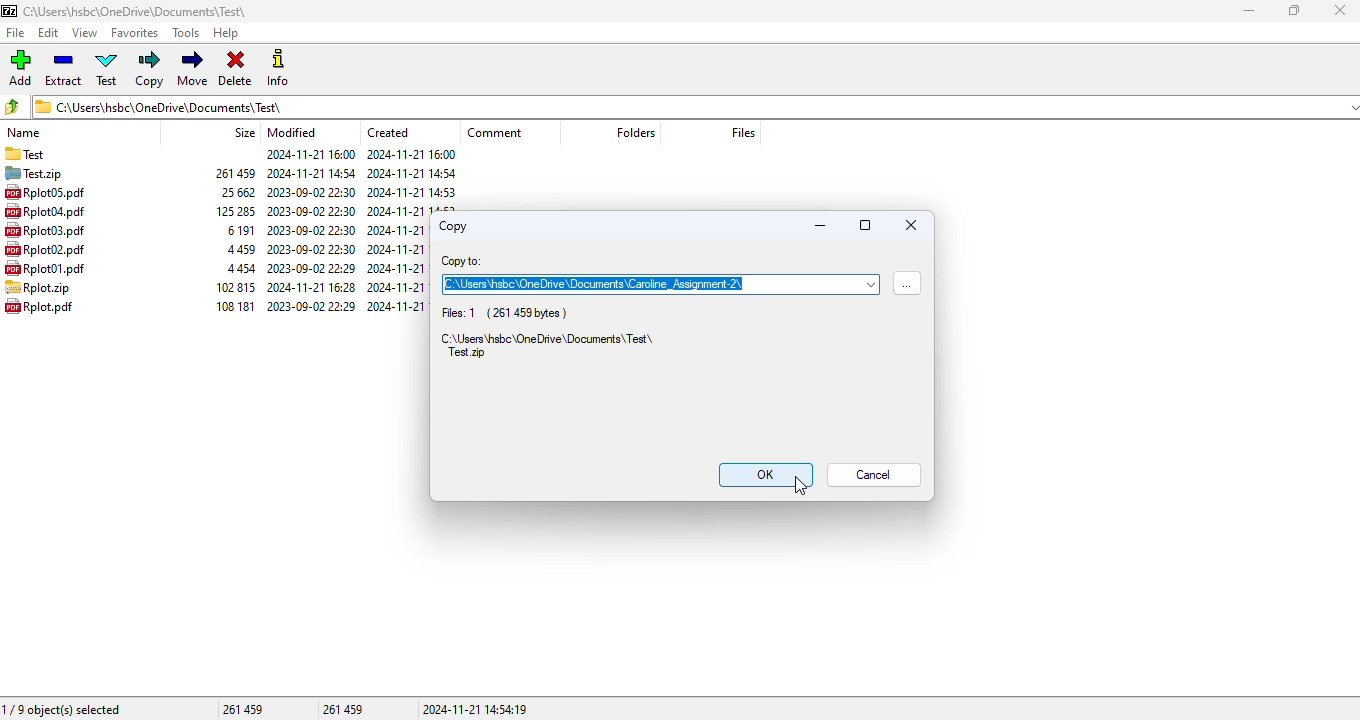 The height and width of the screenshot is (720, 1360). I want to click on C:\Users\hsbc\OneDrive\Documents\Test\Test.zip, so click(547, 345).